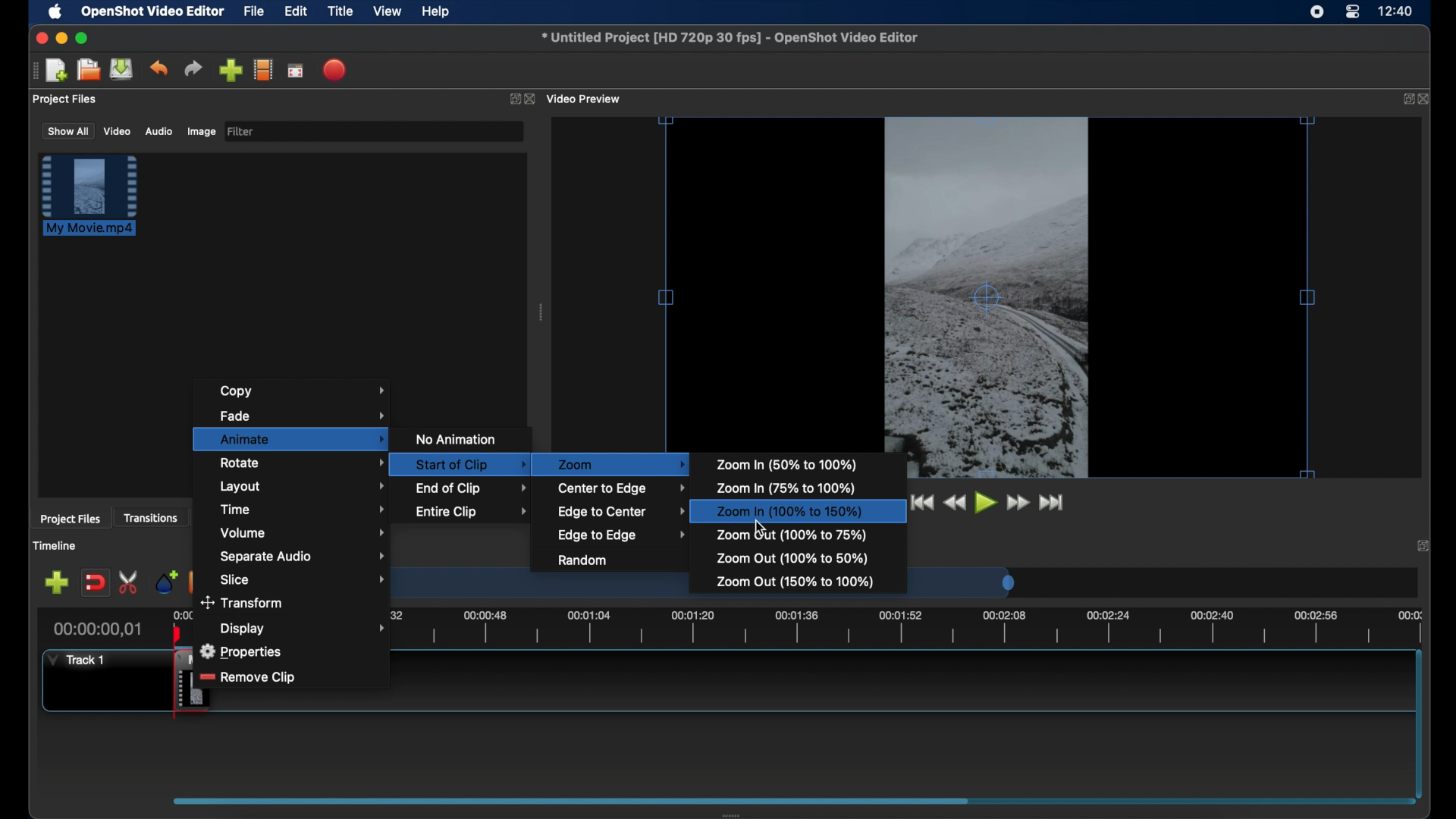 The image size is (1456, 819). What do you see at coordinates (986, 298) in the screenshot?
I see `video cursor` at bounding box center [986, 298].